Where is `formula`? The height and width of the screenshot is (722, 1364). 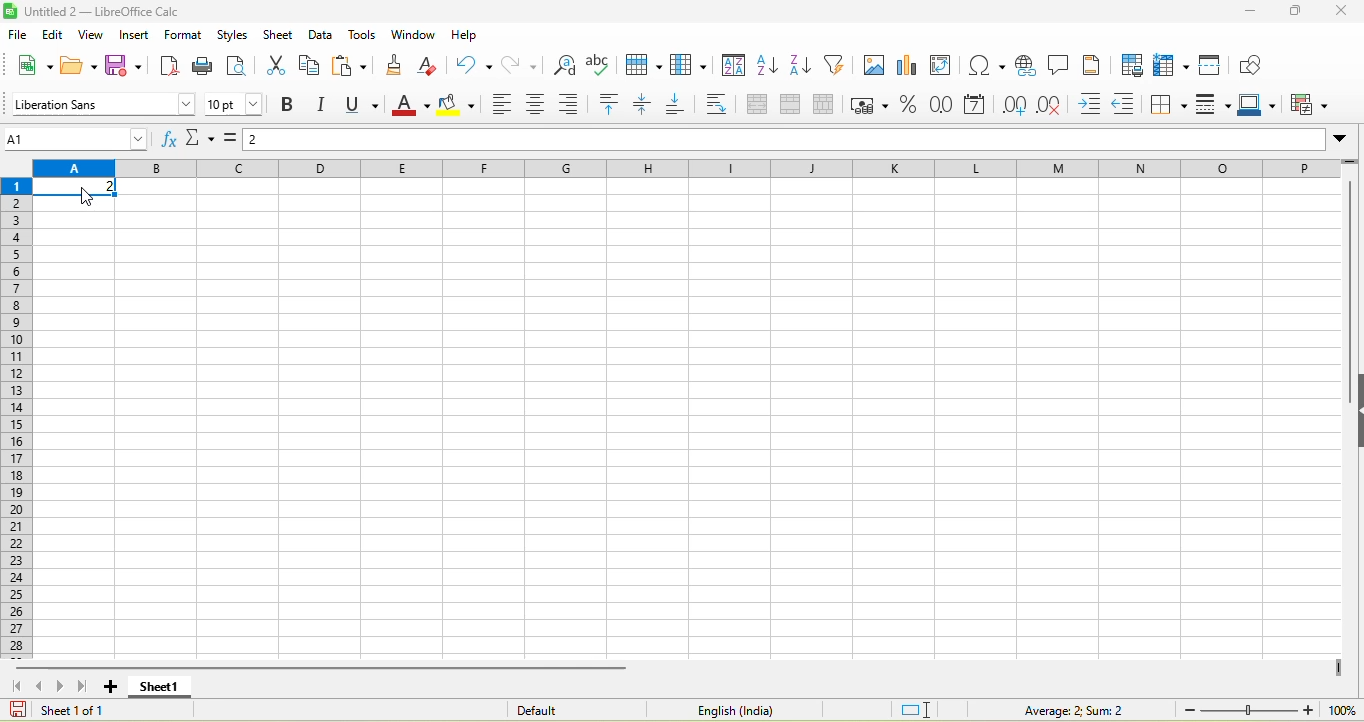
formula is located at coordinates (234, 143).